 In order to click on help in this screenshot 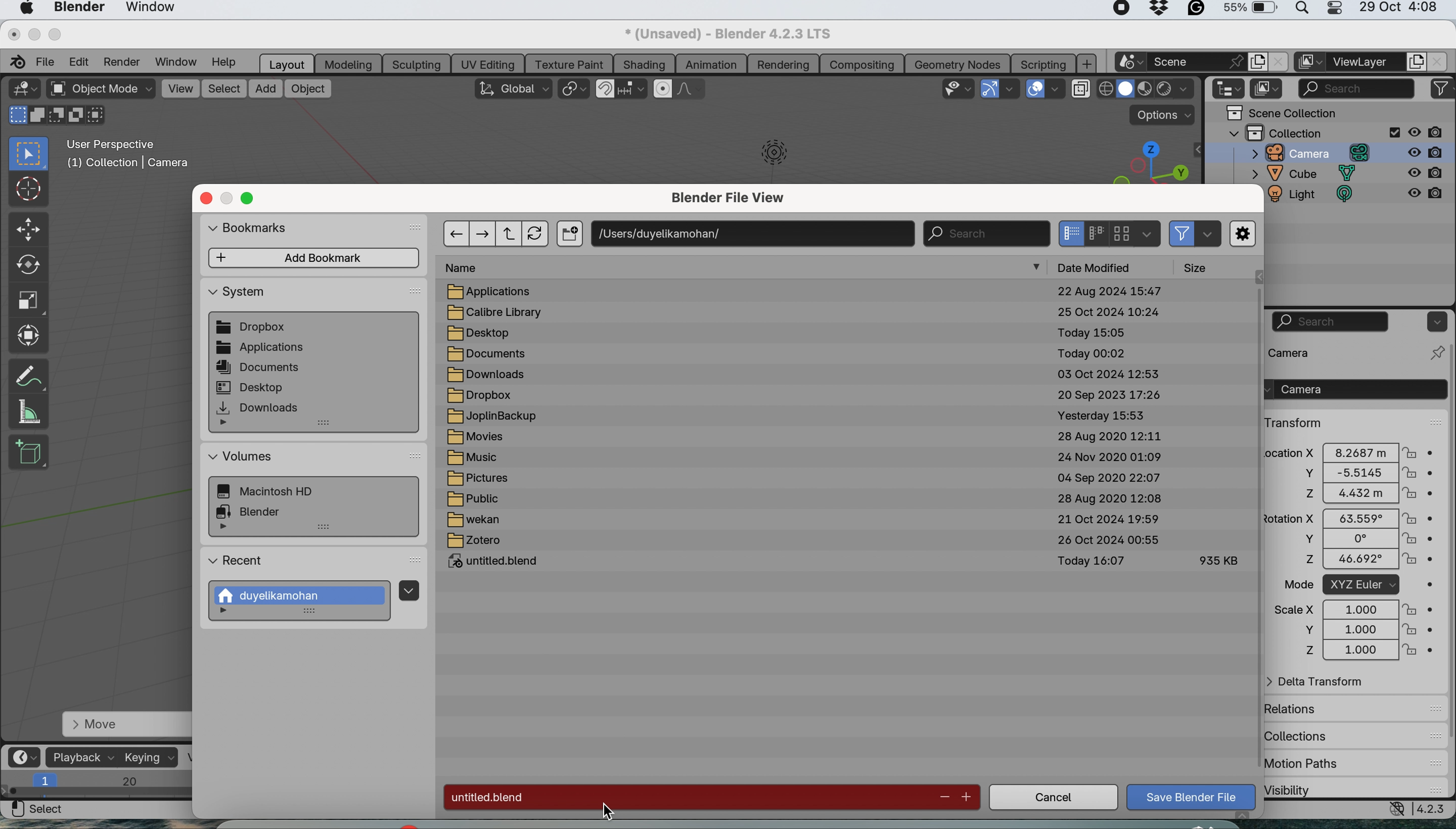, I will do `click(229, 62)`.